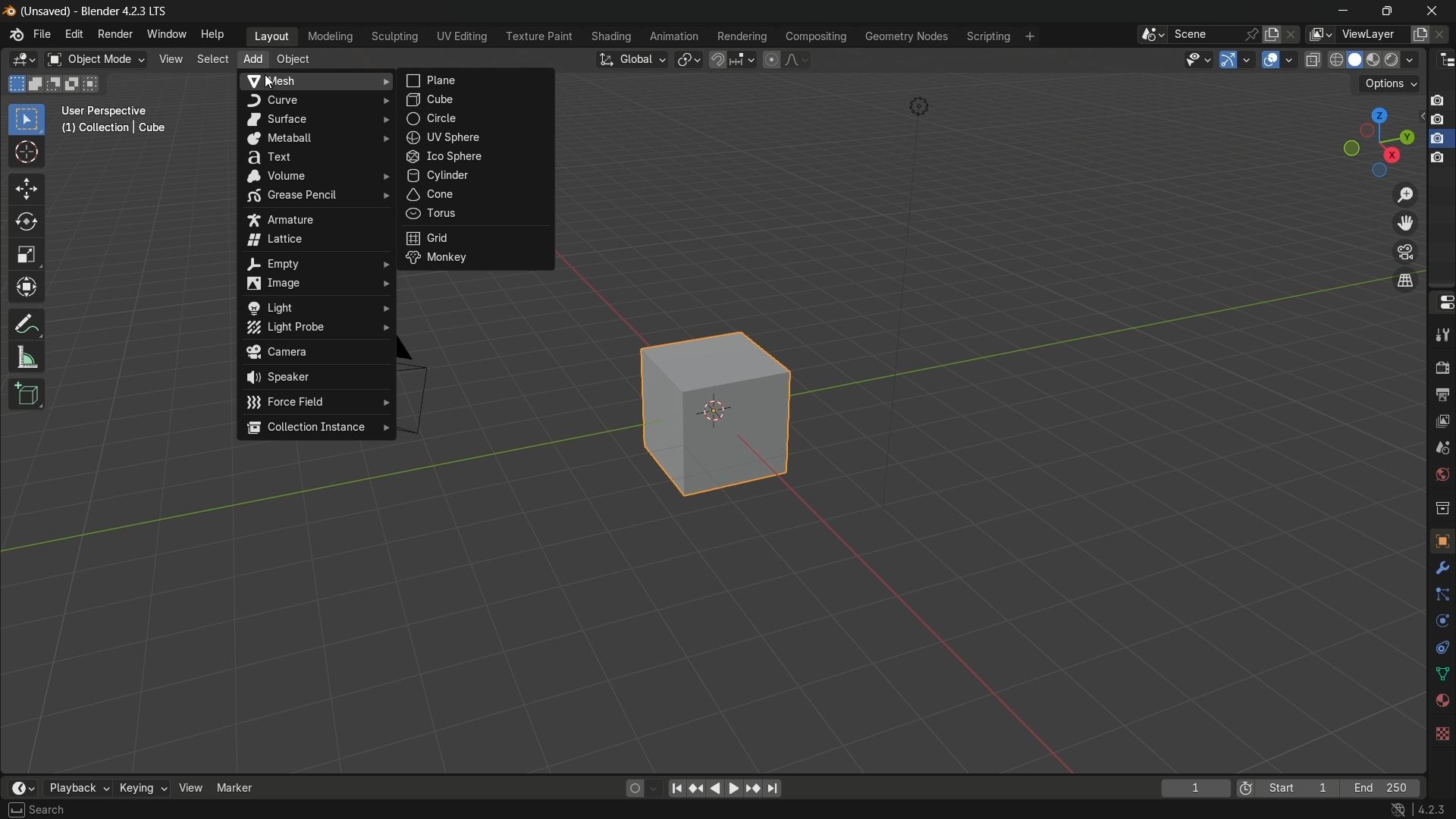 This screenshot has height=819, width=1456. I want to click on select, so click(211, 59).